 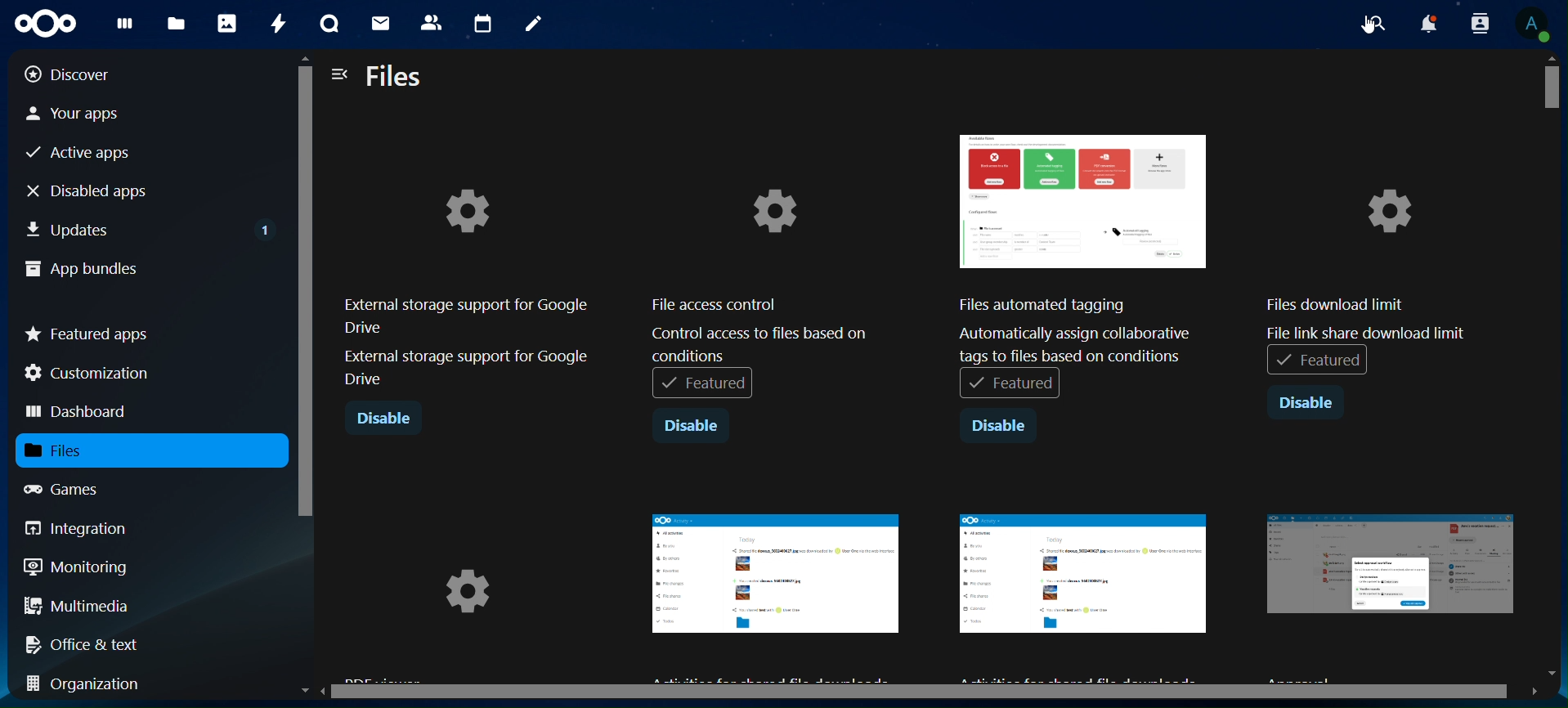 What do you see at coordinates (691, 428) in the screenshot?
I see `disable` at bounding box center [691, 428].